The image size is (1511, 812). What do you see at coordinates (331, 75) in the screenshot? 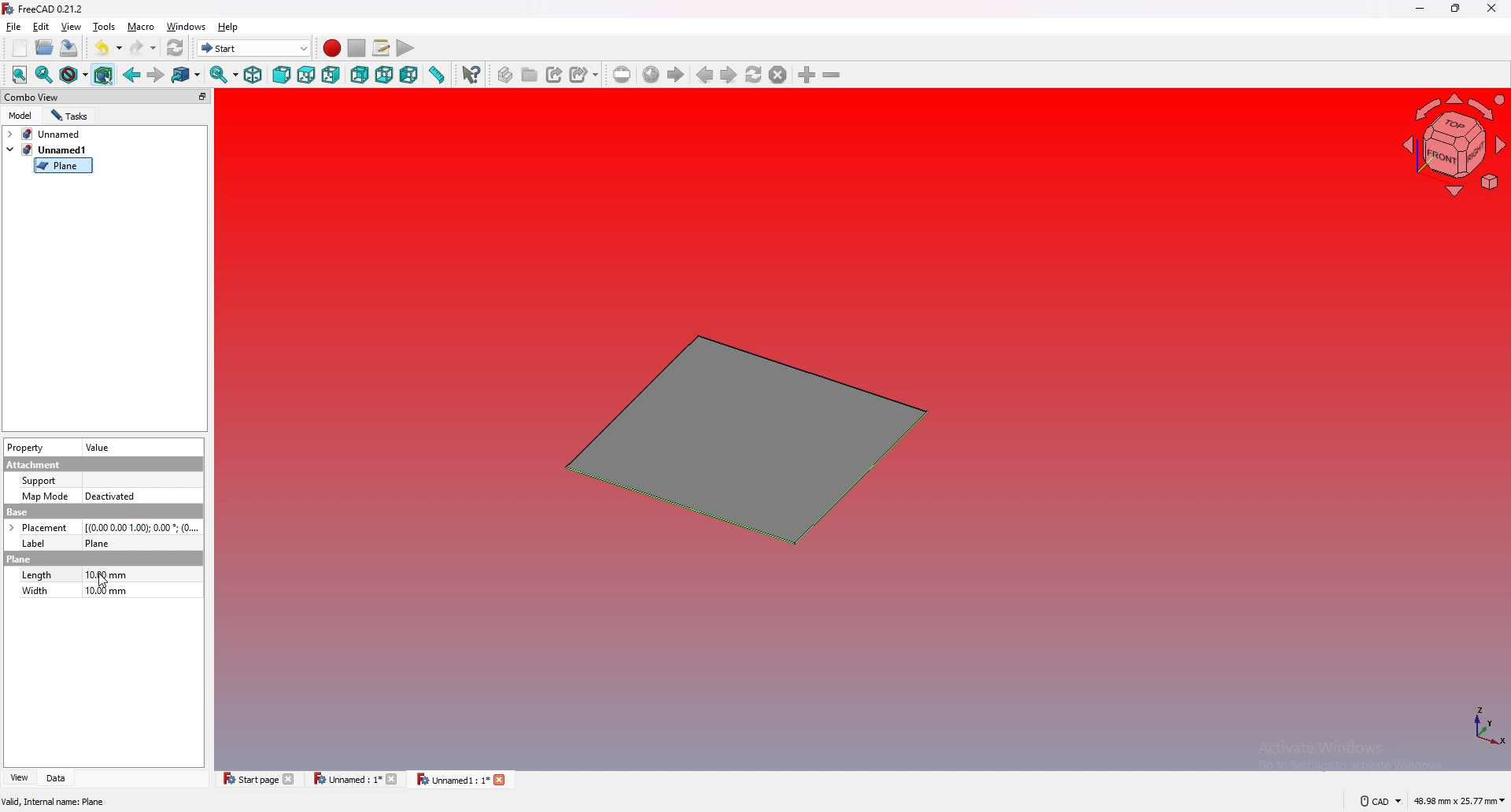
I see `right` at bounding box center [331, 75].